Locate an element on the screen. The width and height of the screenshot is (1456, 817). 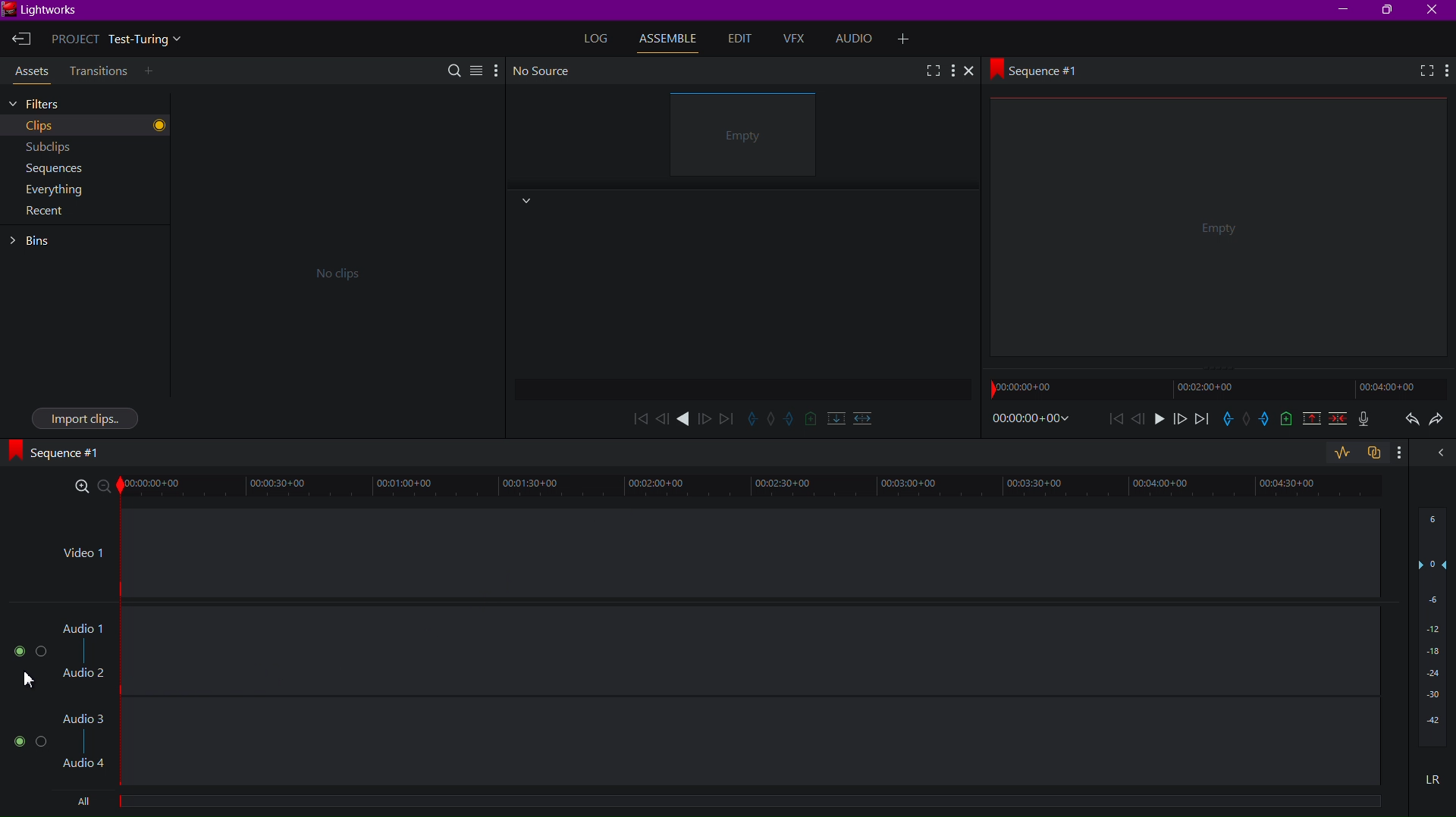
Bins is located at coordinates (37, 241).